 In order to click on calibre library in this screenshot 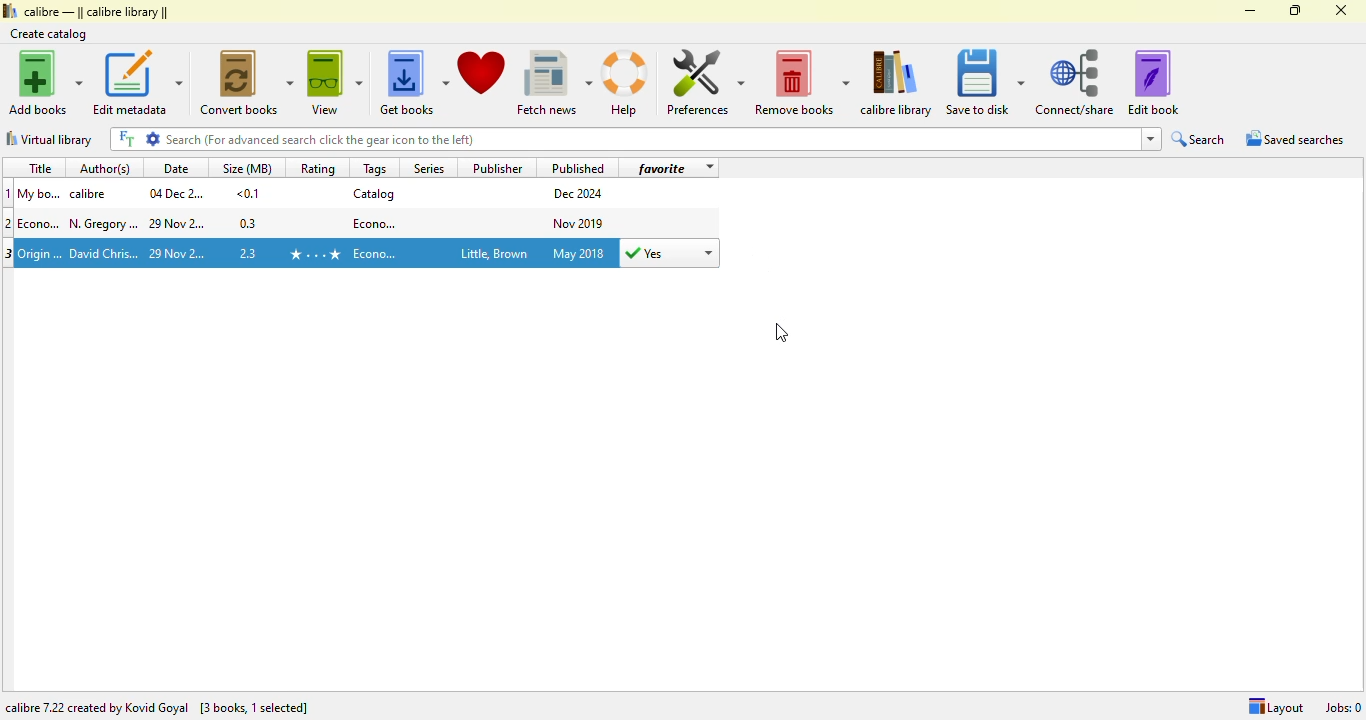, I will do `click(897, 83)`.